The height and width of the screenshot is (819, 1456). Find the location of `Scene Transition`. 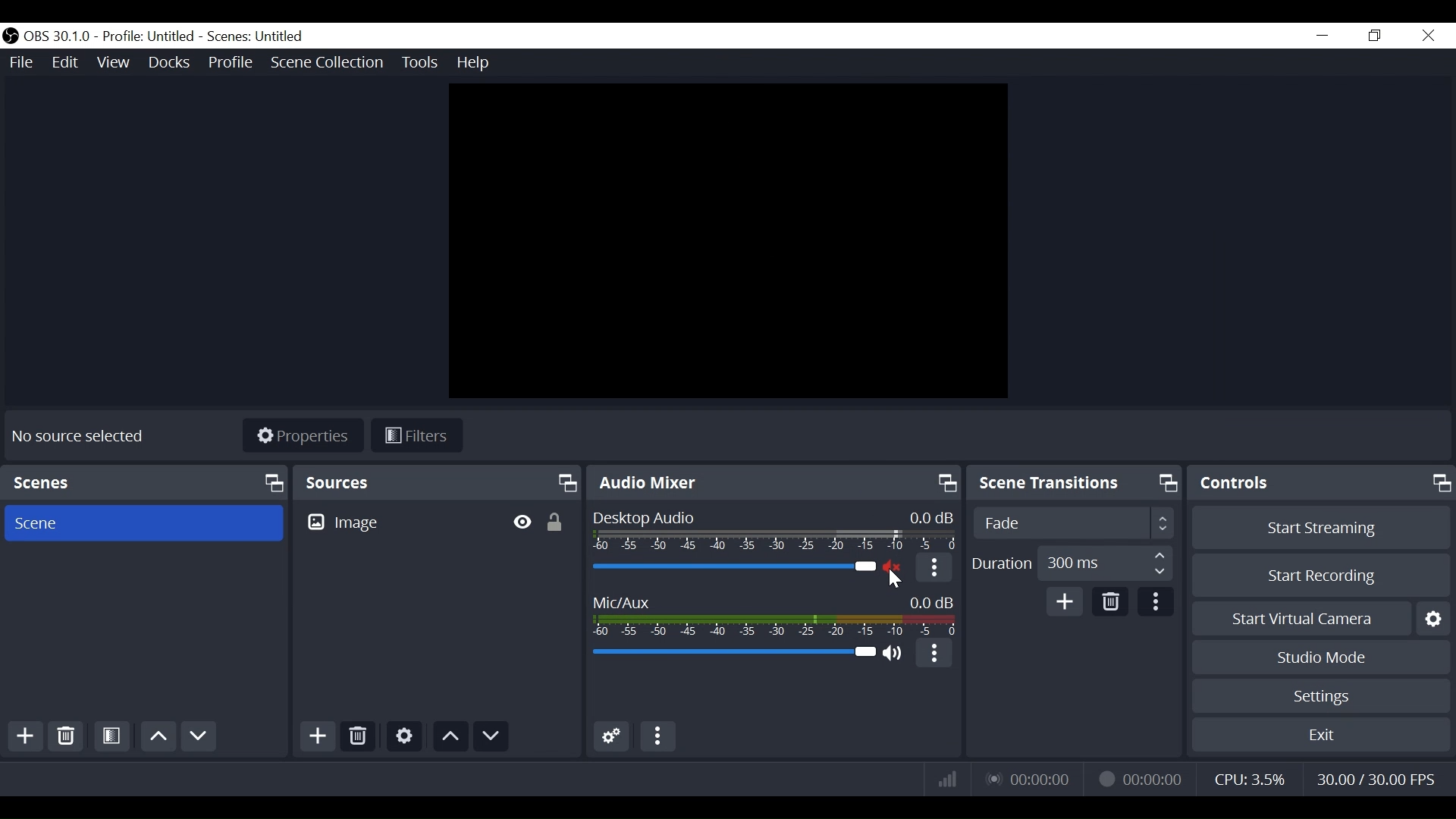

Scene Transition is located at coordinates (1075, 483).